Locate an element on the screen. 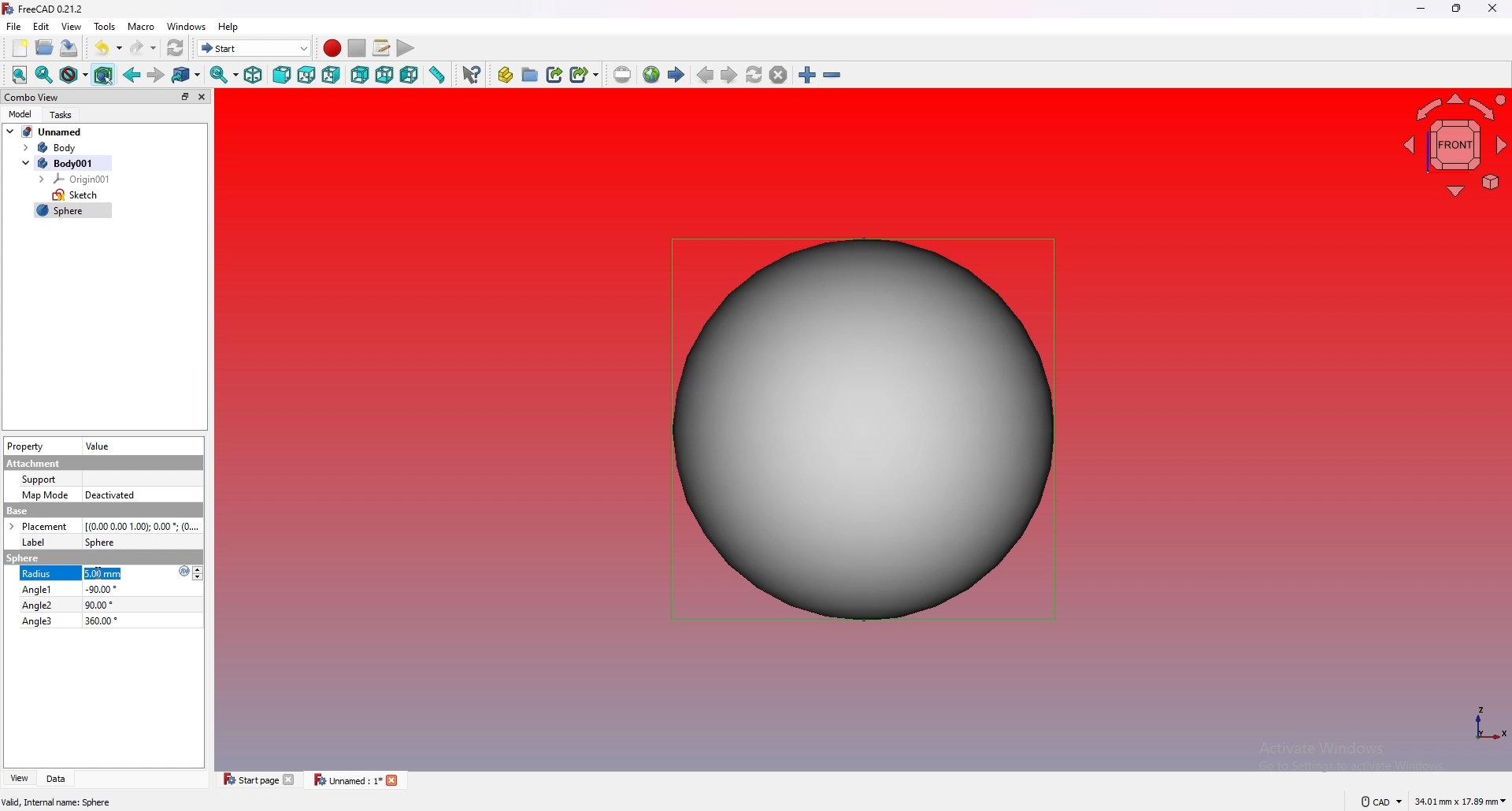 This screenshot has height=811, width=1512. create sublink is located at coordinates (584, 74).